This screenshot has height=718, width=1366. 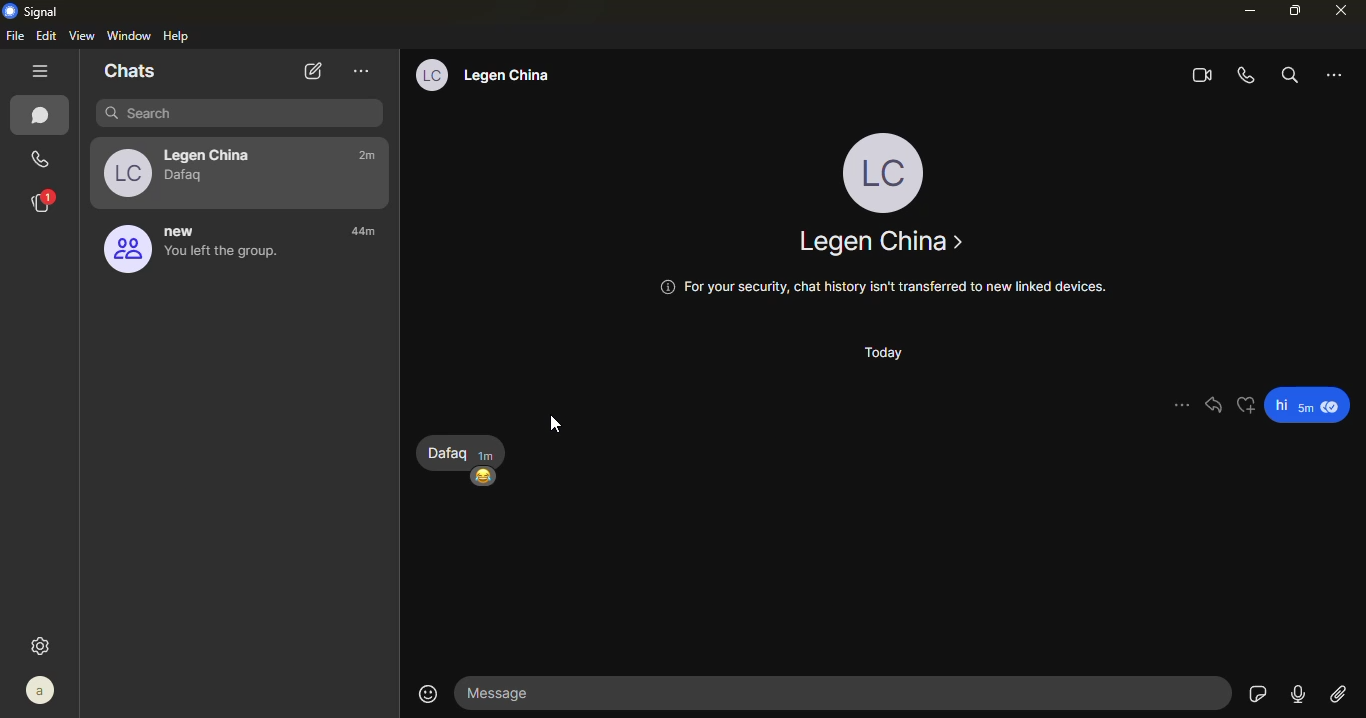 I want to click on profile LC, so click(x=888, y=170).